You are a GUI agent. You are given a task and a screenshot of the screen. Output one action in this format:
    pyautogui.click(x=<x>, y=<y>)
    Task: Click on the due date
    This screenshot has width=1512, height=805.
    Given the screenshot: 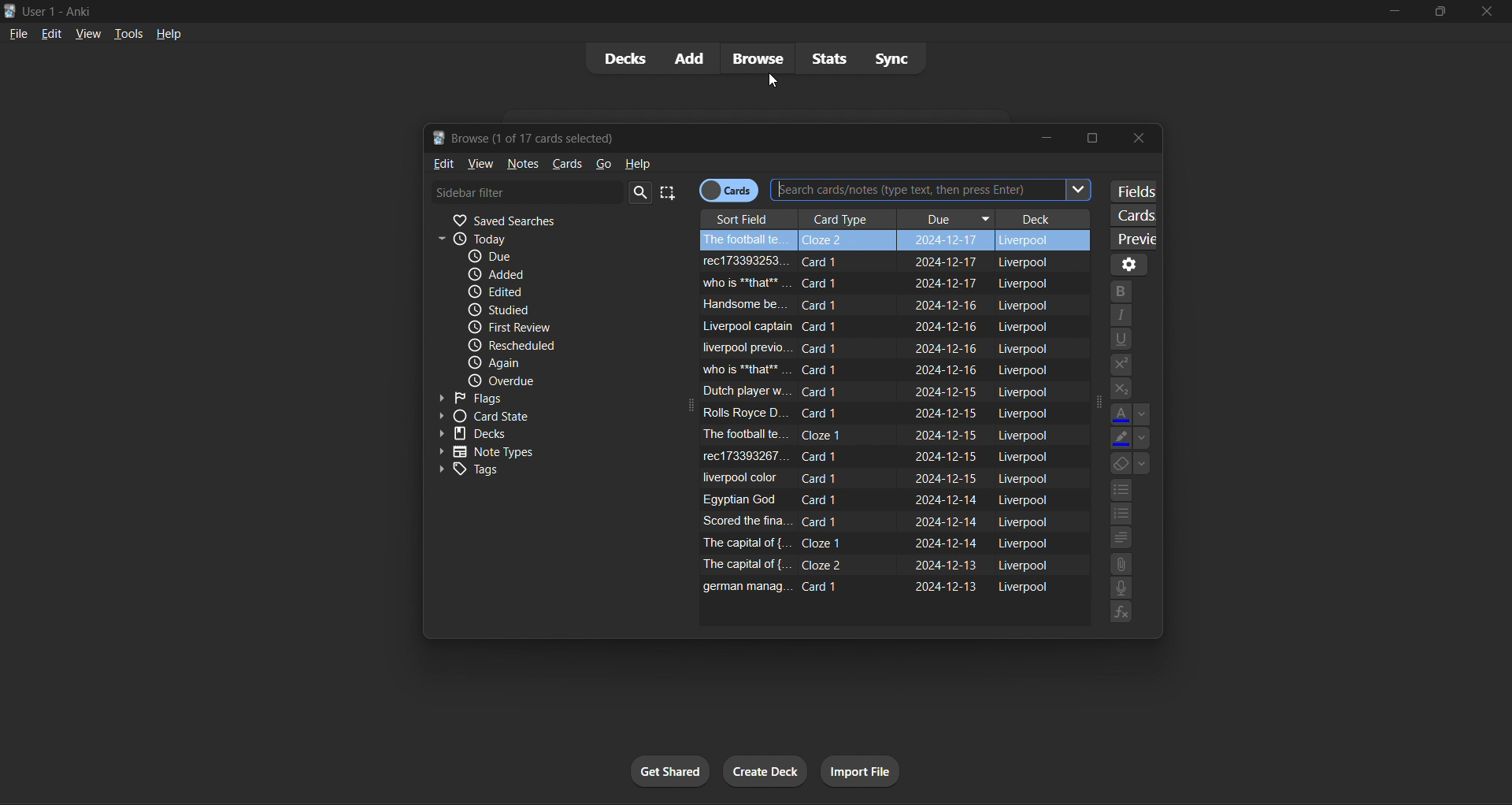 What is the action you would take?
    pyautogui.click(x=947, y=435)
    